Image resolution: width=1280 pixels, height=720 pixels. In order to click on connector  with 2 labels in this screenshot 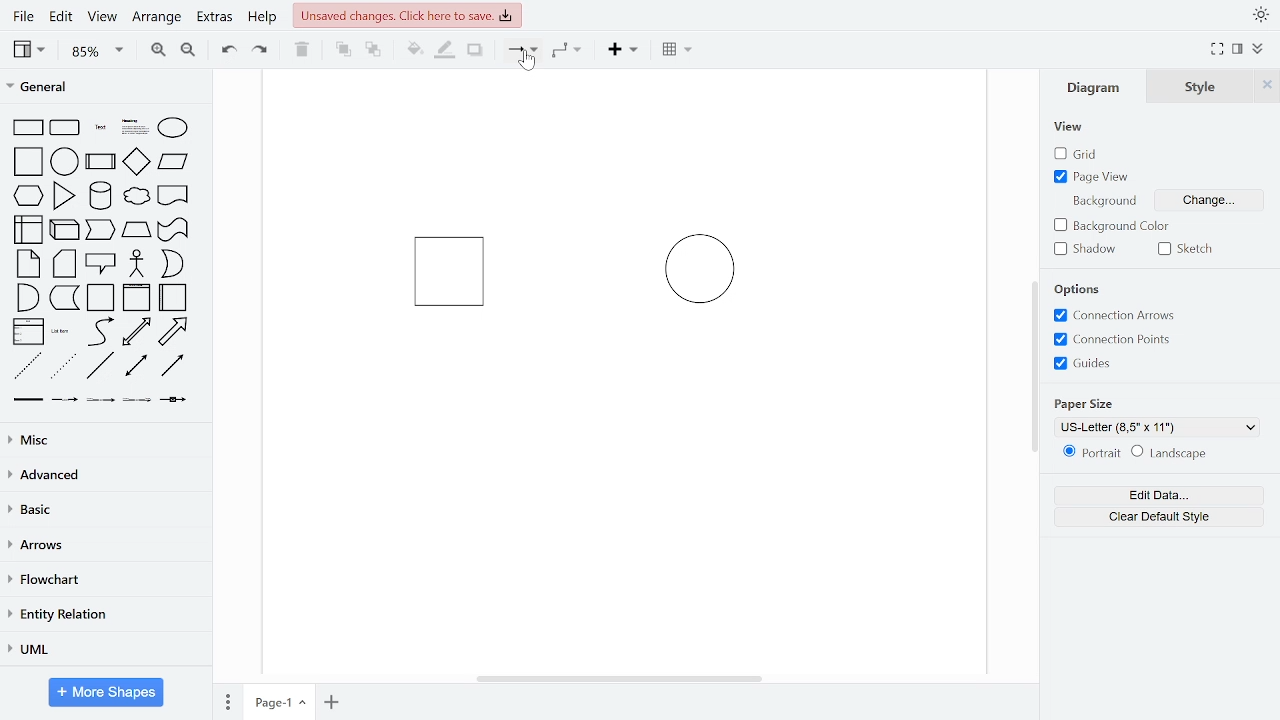, I will do `click(102, 400)`.